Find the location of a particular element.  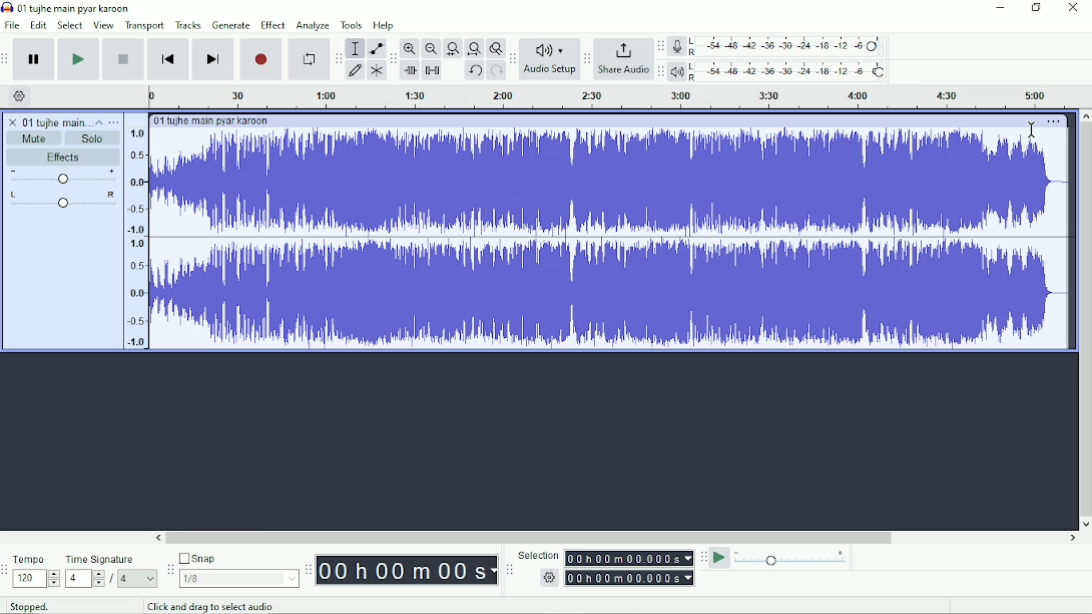

Audio is located at coordinates (612, 240).